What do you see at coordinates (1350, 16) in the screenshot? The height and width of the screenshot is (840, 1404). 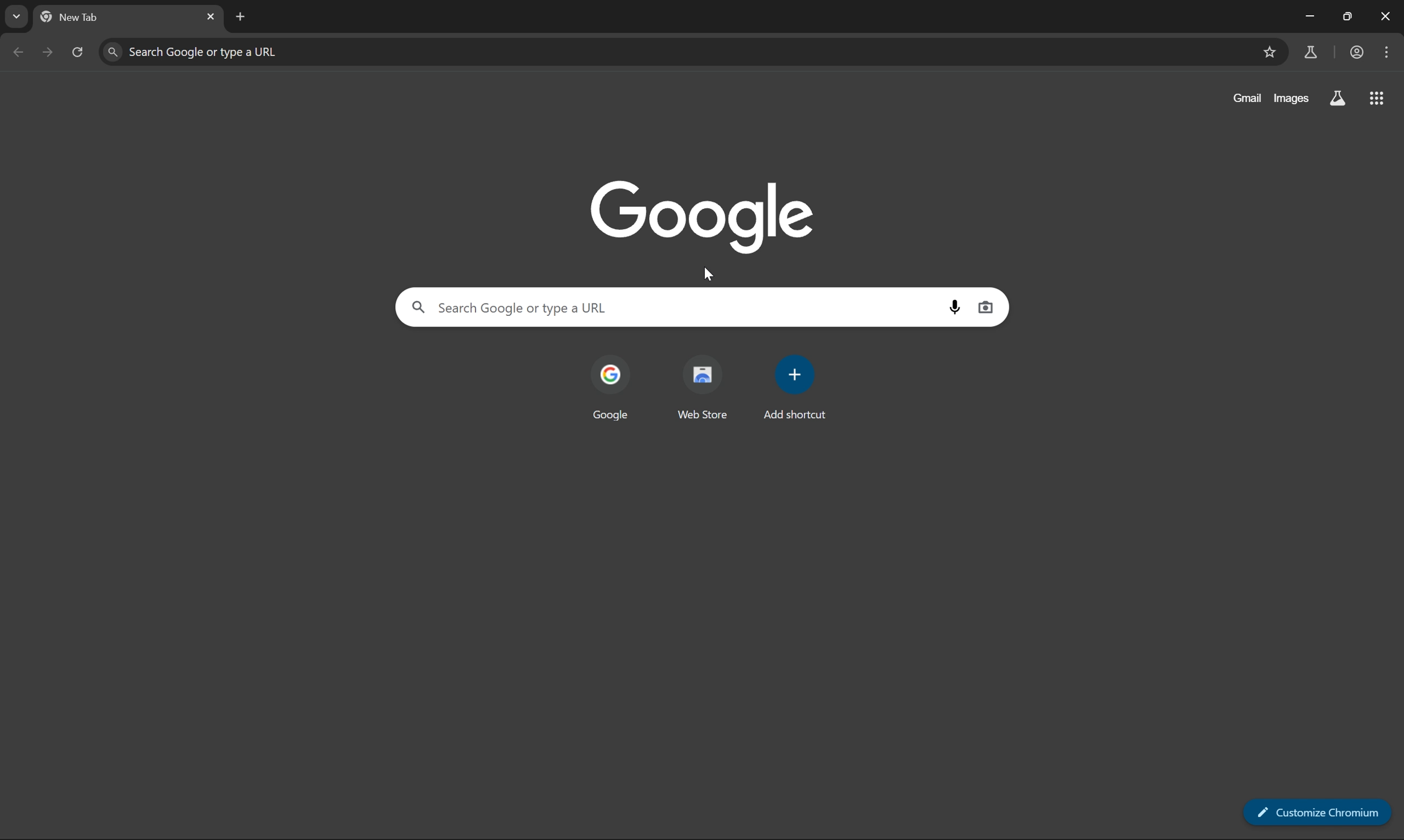 I see `restore down` at bounding box center [1350, 16].